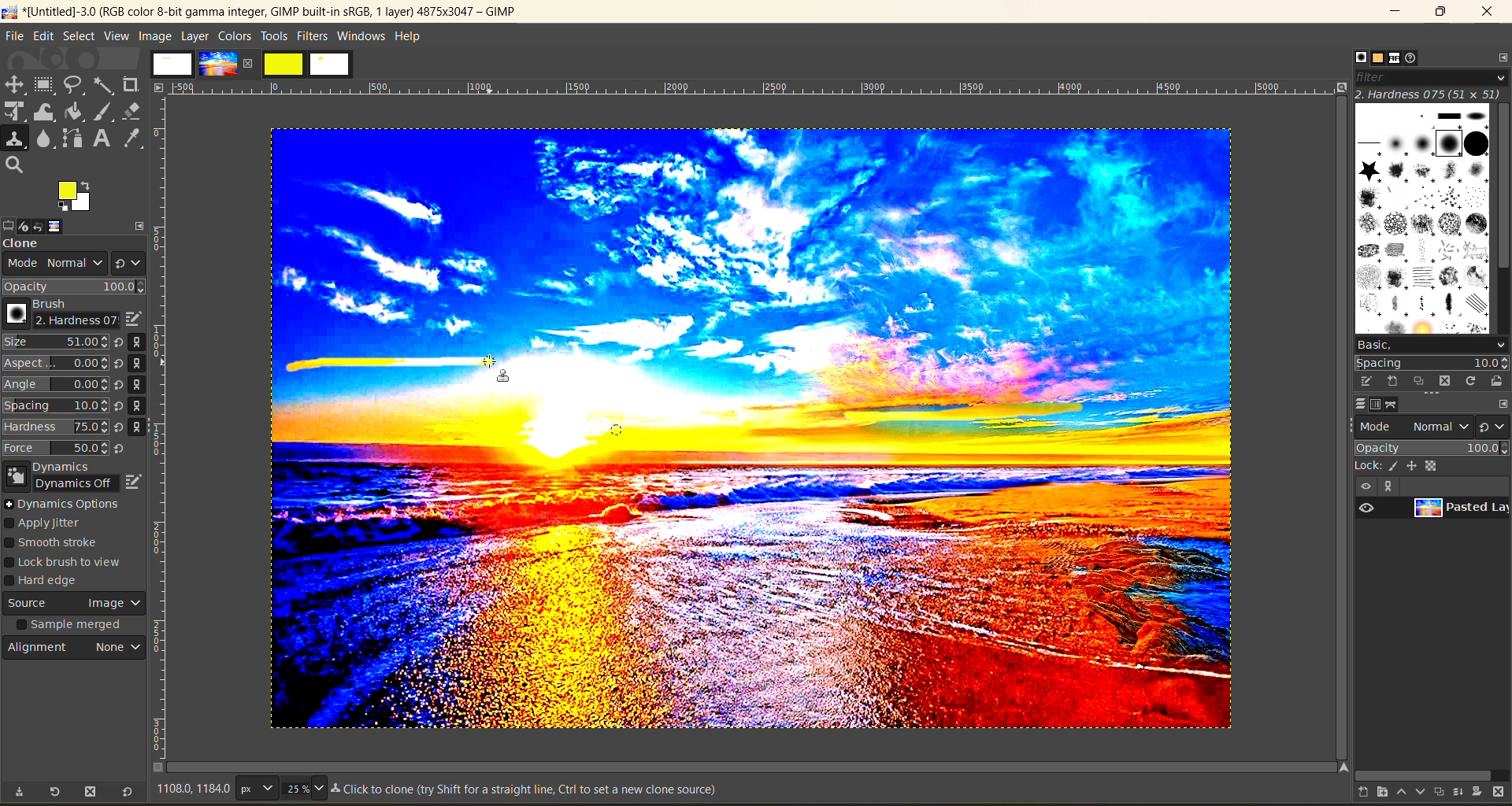  What do you see at coordinates (1386, 486) in the screenshot?
I see `expand` at bounding box center [1386, 486].